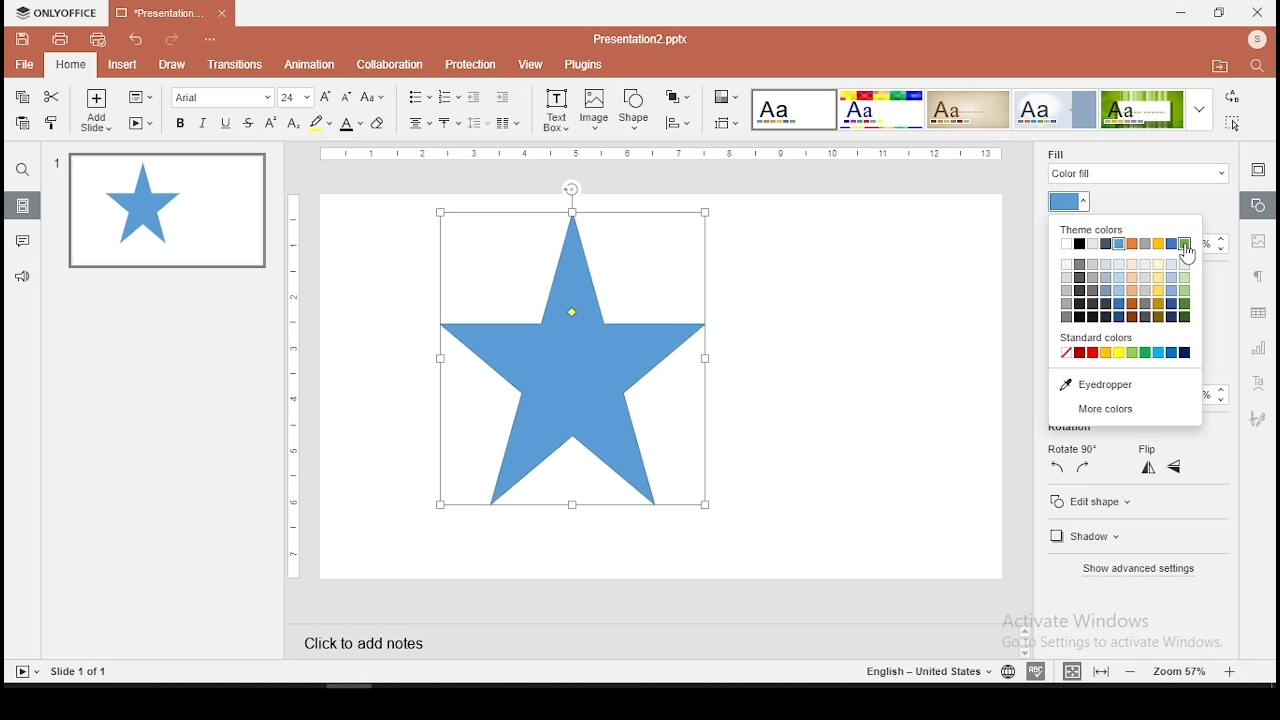 The height and width of the screenshot is (720, 1280). What do you see at coordinates (1151, 449) in the screenshot?
I see `flip` at bounding box center [1151, 449].